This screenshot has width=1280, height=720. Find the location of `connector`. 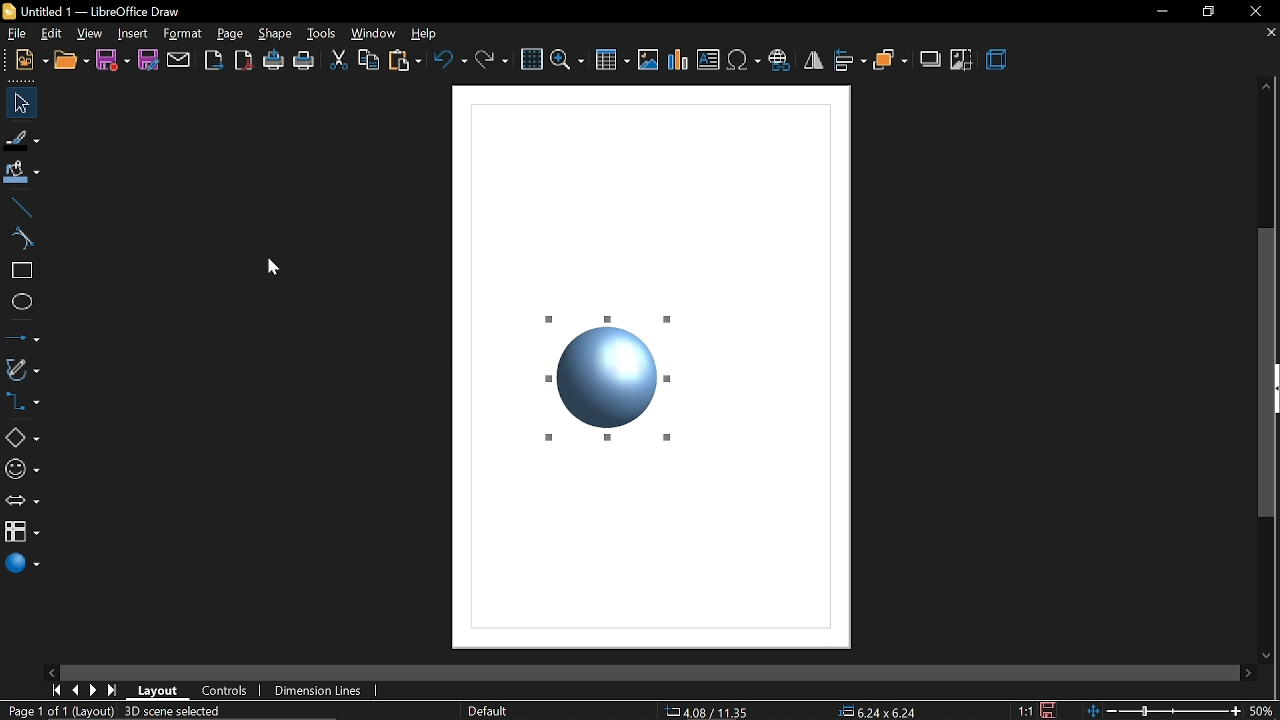

connector is located at coordinates (26, 400).